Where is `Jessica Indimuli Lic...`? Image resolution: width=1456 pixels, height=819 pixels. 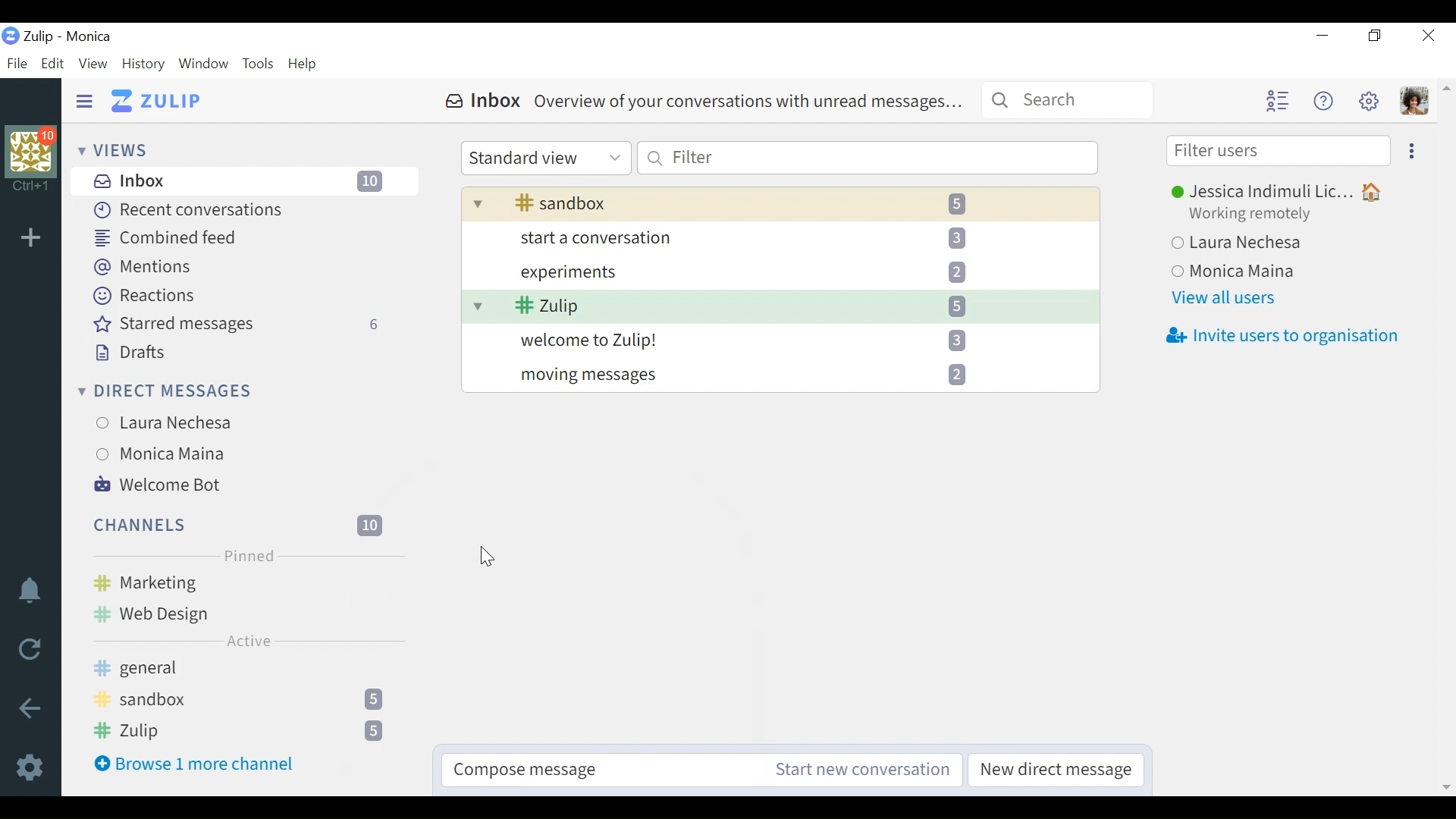 Jessica Indimuli Lic... is located at coordinates (1282, 193).